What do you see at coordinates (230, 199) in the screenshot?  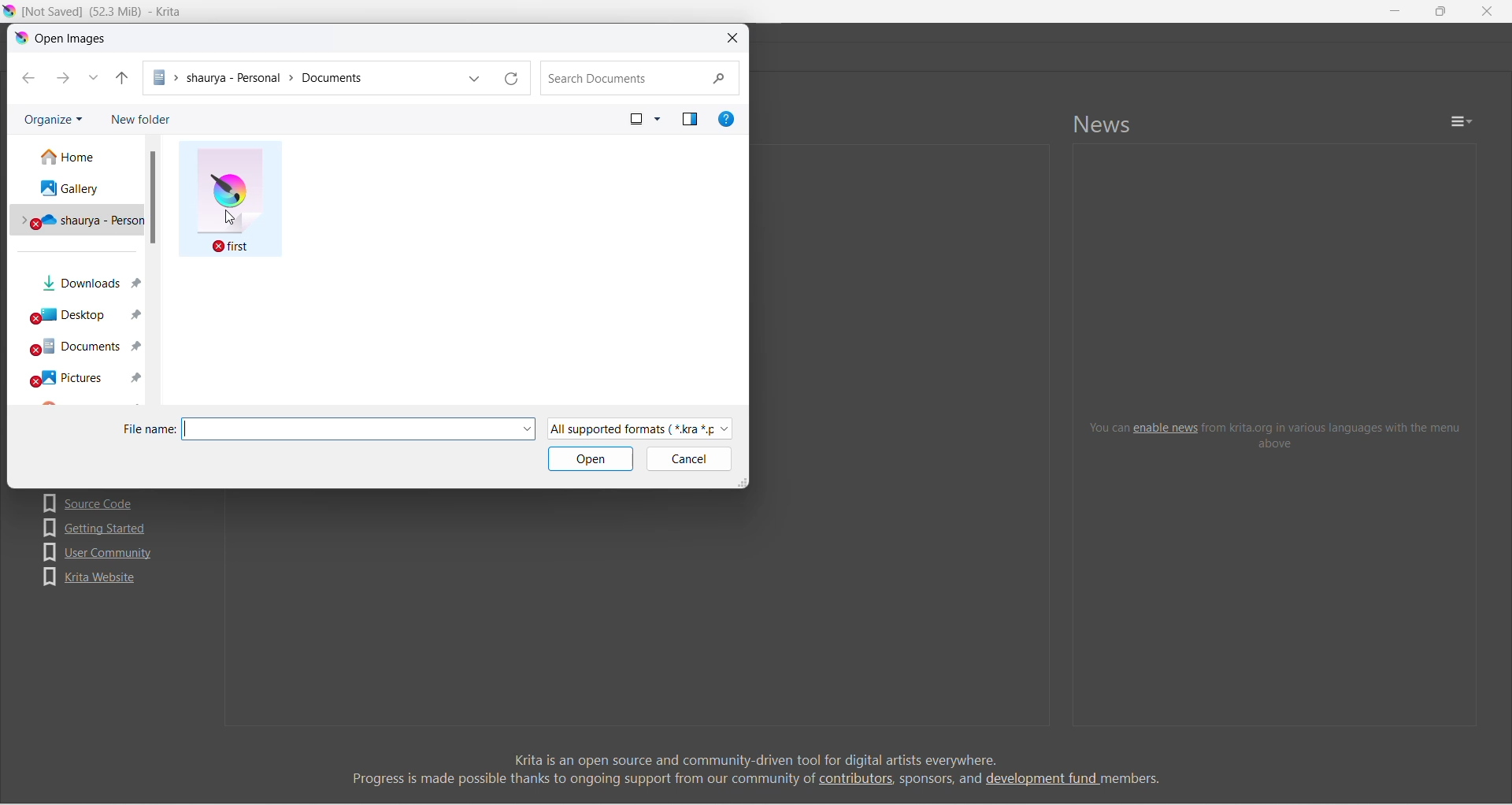 I see `file` at bounding box center [230, 199].